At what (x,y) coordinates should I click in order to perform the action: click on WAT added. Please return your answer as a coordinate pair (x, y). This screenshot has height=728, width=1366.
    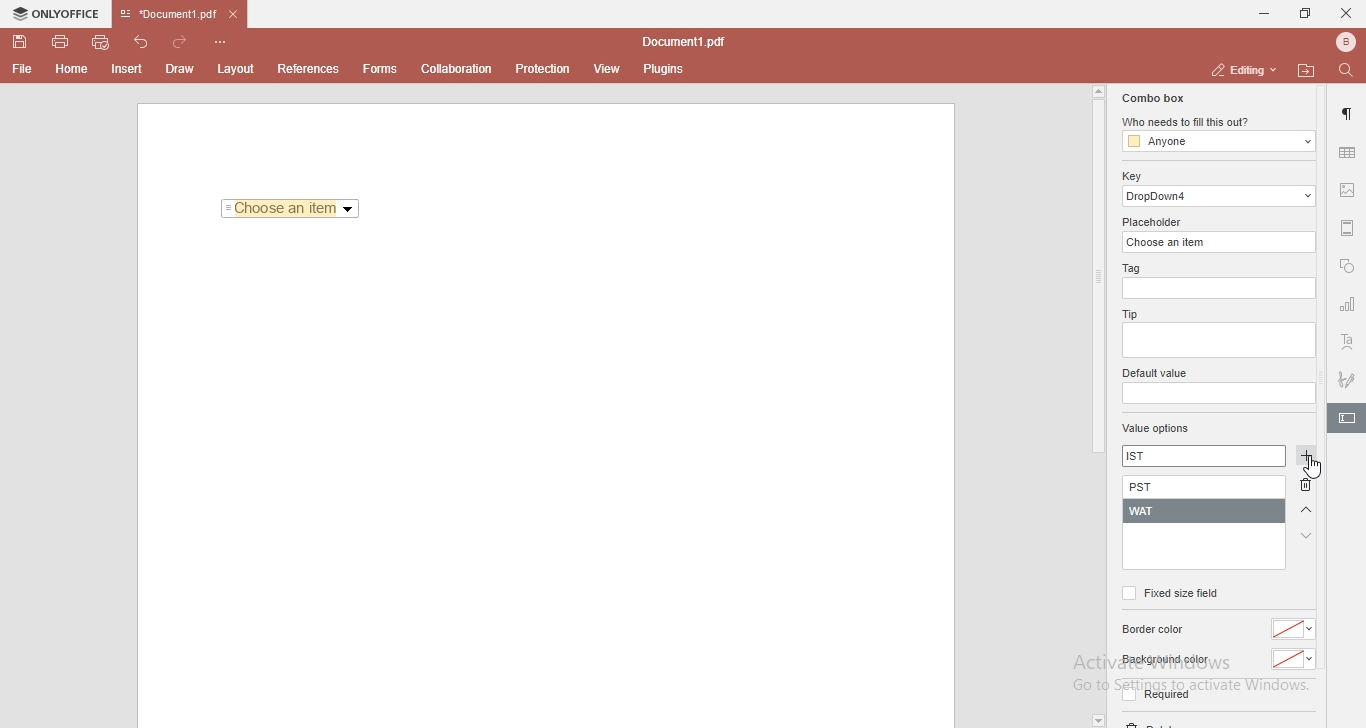
    Looking at the image, I should click on (1205, 511).